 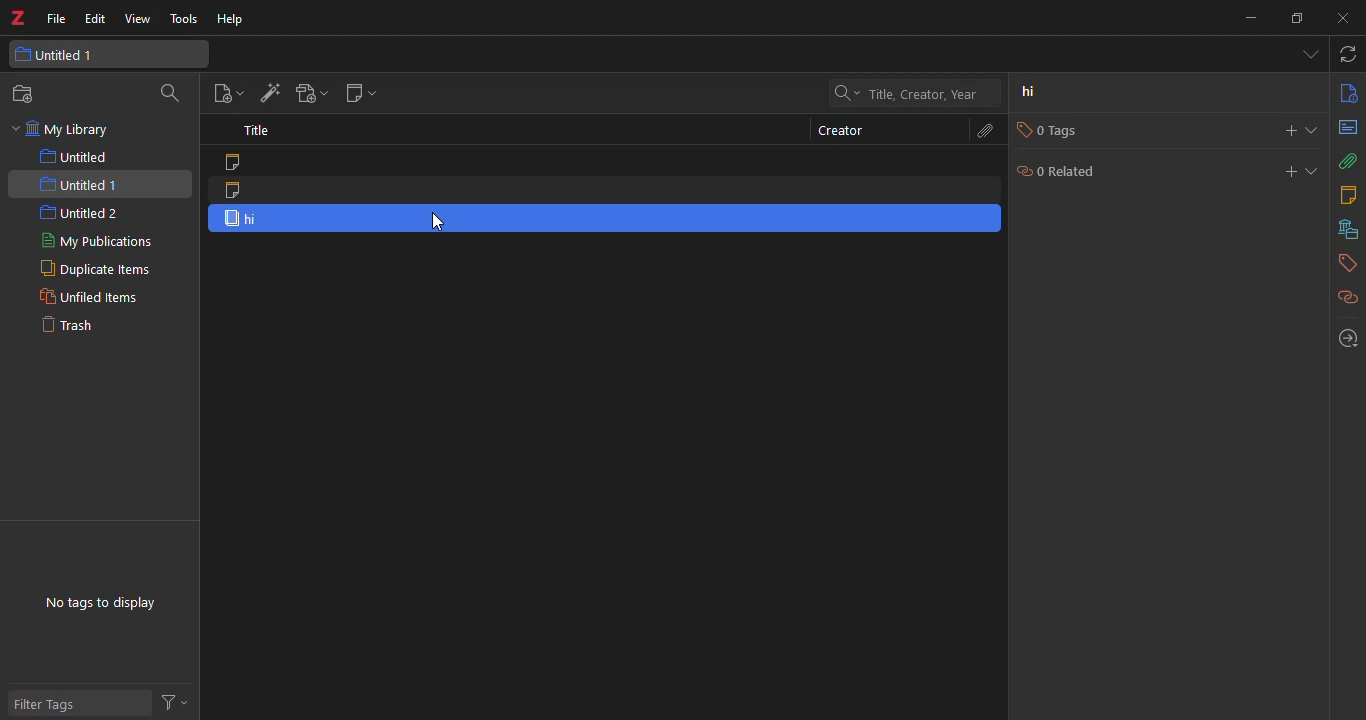 What do you see at coordinates (1346, 53) in the screenshot?
I see `sync` at bounding box center [1346, 53].